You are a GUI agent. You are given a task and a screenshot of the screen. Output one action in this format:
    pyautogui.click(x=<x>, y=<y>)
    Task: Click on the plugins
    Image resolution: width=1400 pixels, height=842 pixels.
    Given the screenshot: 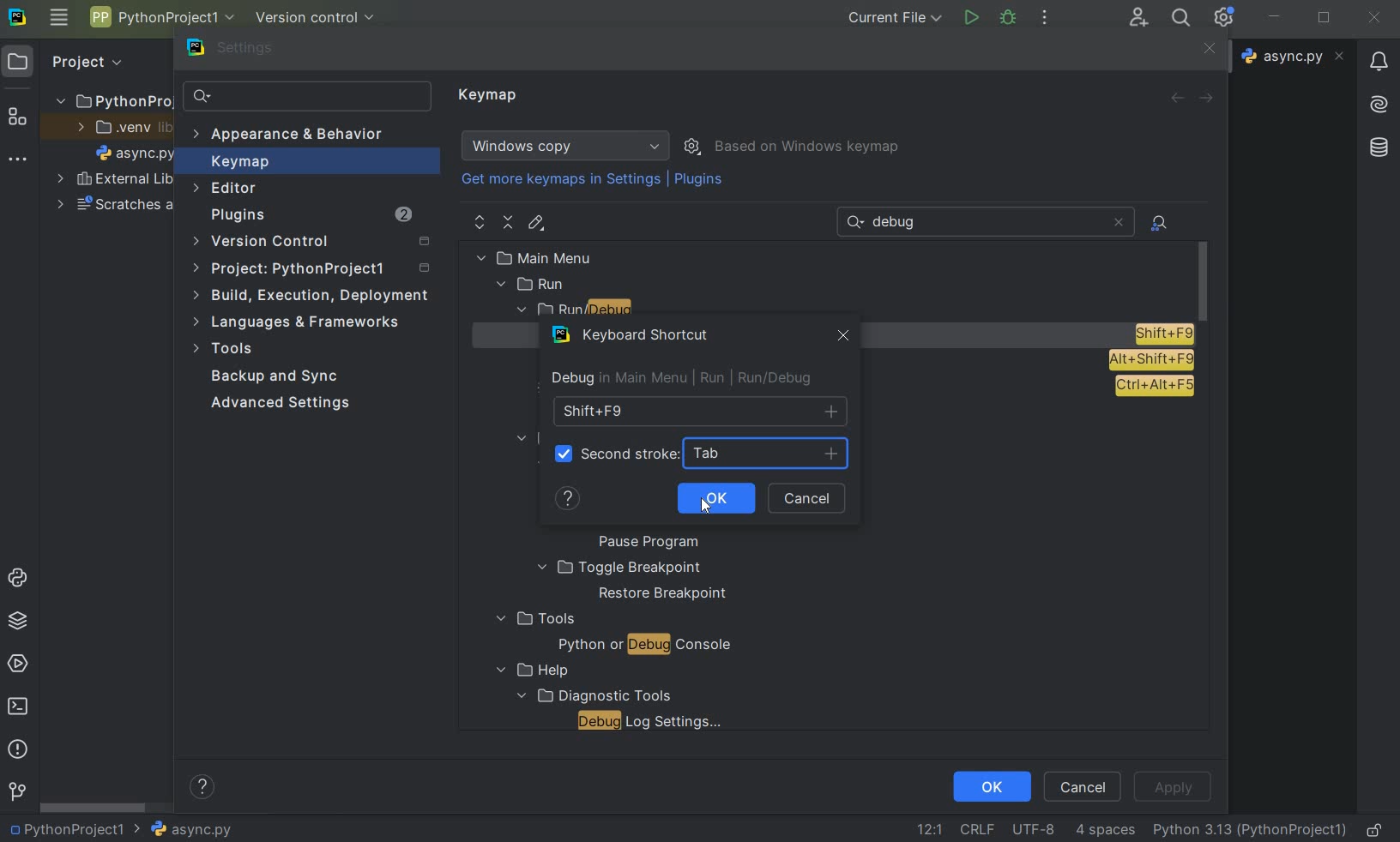 What is the action you would take?
    pyautogui.click(x=310, y=217)
    